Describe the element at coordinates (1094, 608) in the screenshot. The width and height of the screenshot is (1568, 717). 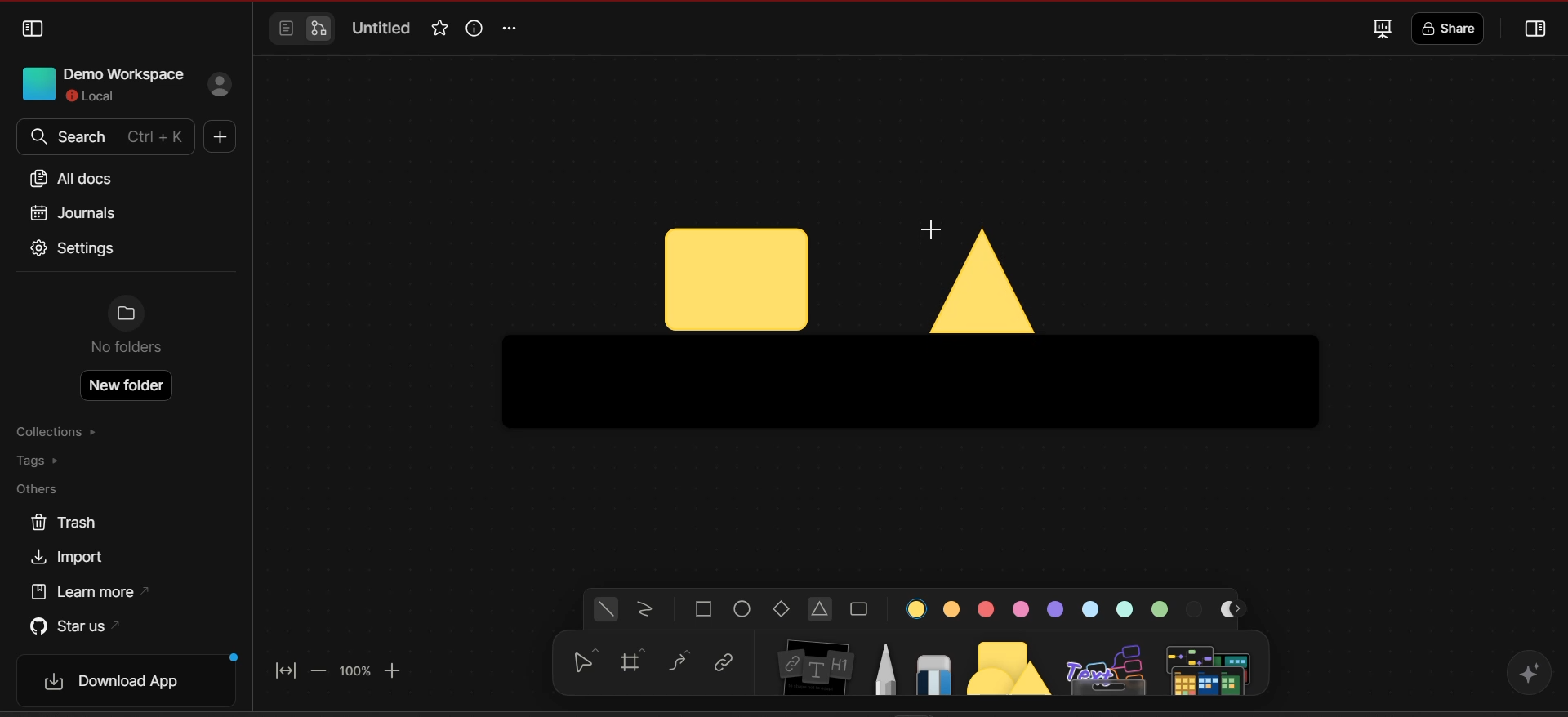
I see `color 6` at that location.